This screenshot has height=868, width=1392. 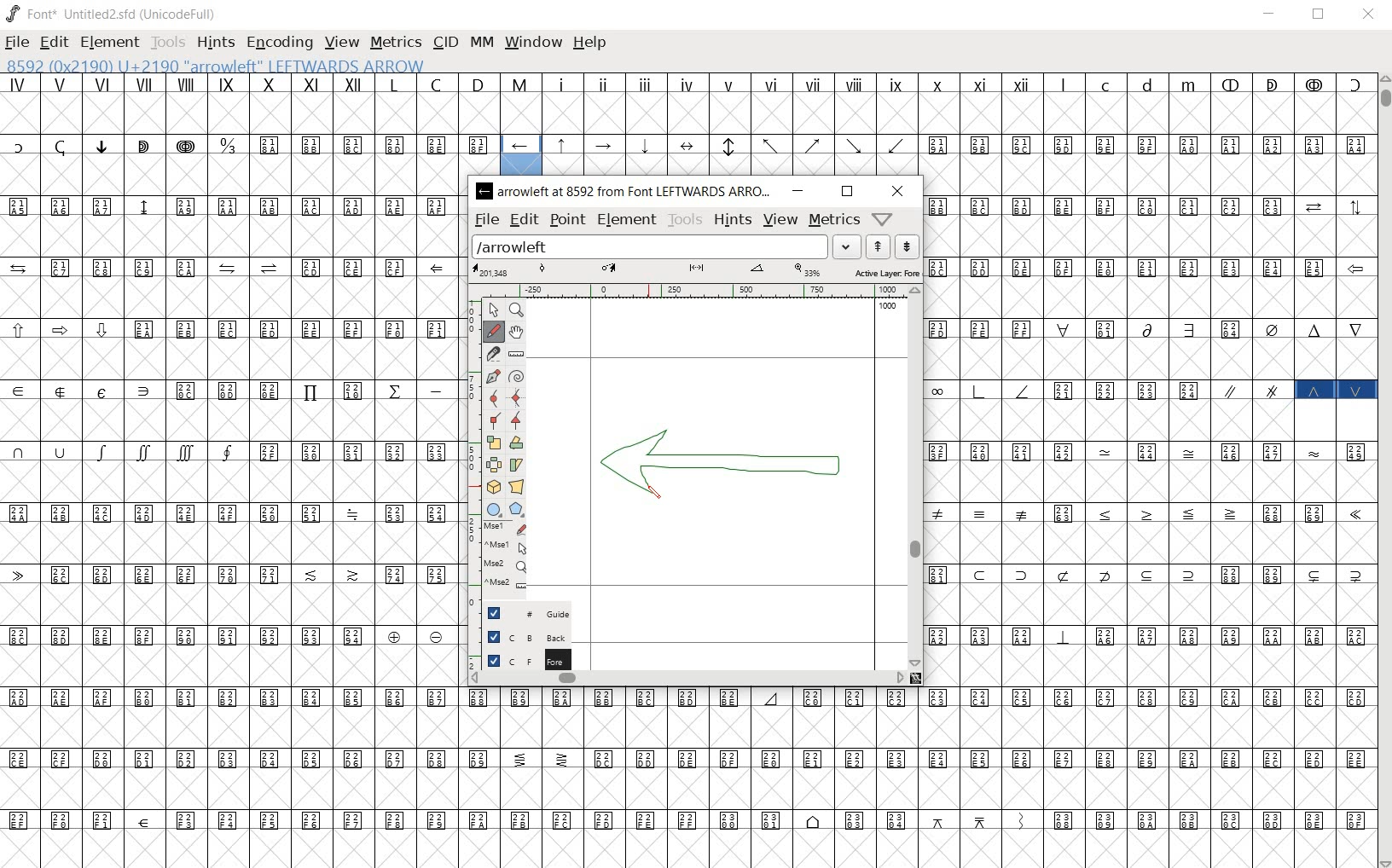 What do you see at coordinates (486, 219) in the screenshot?
I see `file` at bounding box center [486, 219].